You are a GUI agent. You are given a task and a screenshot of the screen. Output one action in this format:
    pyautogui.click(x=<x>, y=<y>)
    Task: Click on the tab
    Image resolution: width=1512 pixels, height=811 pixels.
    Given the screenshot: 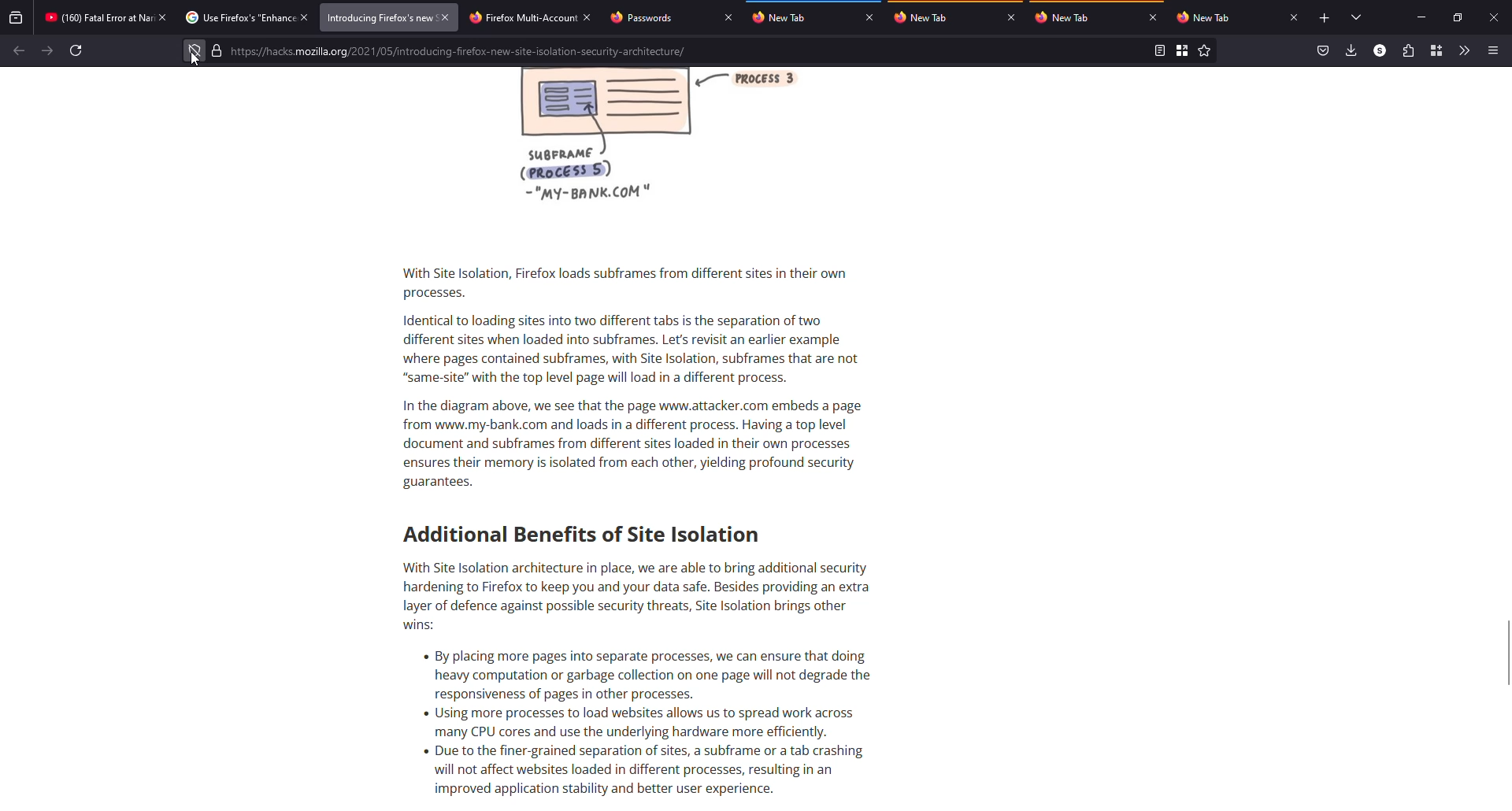 What is the action you would take?
    pyautogui.click(x=646, y=17)
    